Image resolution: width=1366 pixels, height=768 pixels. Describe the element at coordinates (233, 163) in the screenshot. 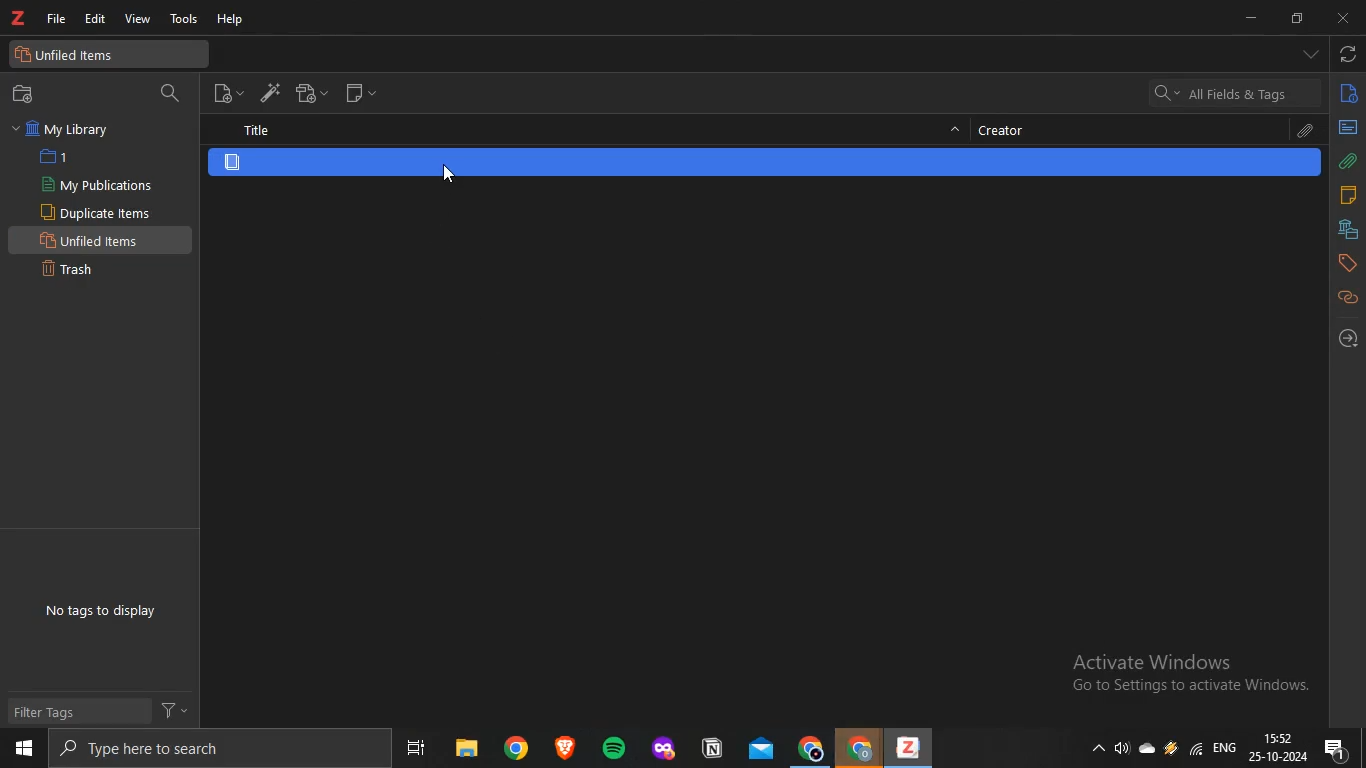

I see `item` at that location.